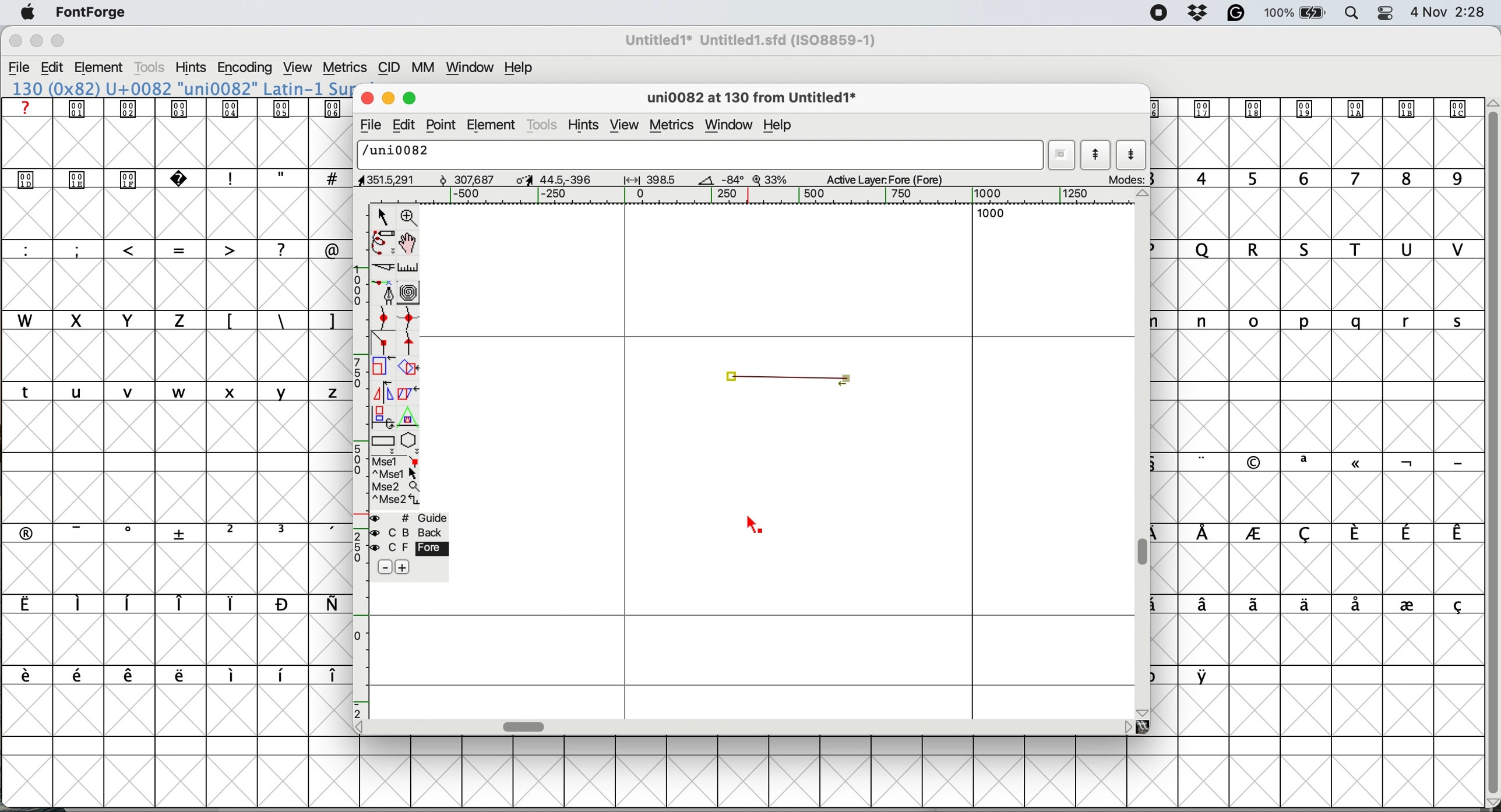 This screenshot has height=812, width=1501. Describe the element at coordinates (181, 676) in the screenshot. I see `symbols` at that location.